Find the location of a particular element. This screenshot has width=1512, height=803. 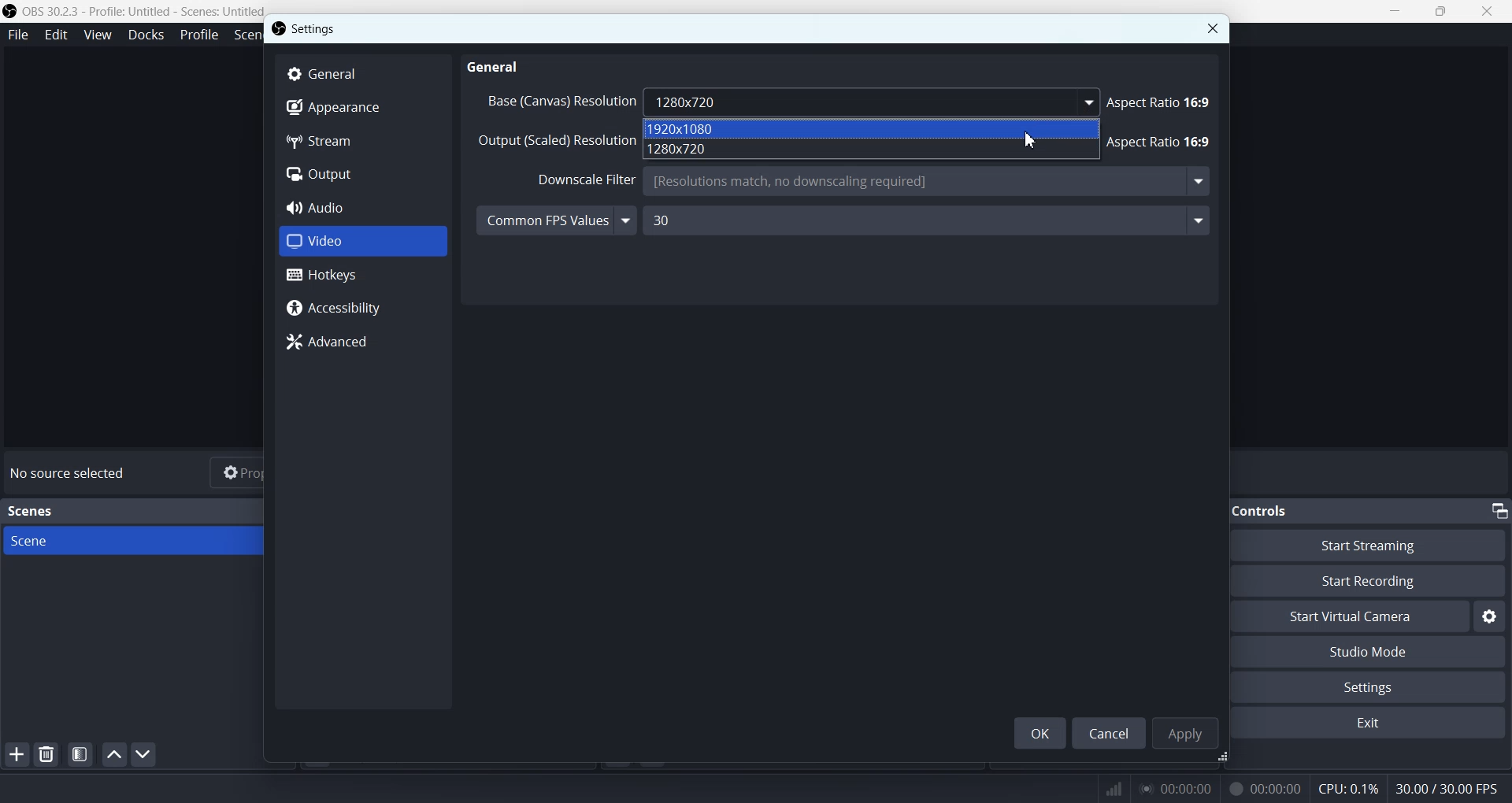

Edit is located at coordinates (56, 35).